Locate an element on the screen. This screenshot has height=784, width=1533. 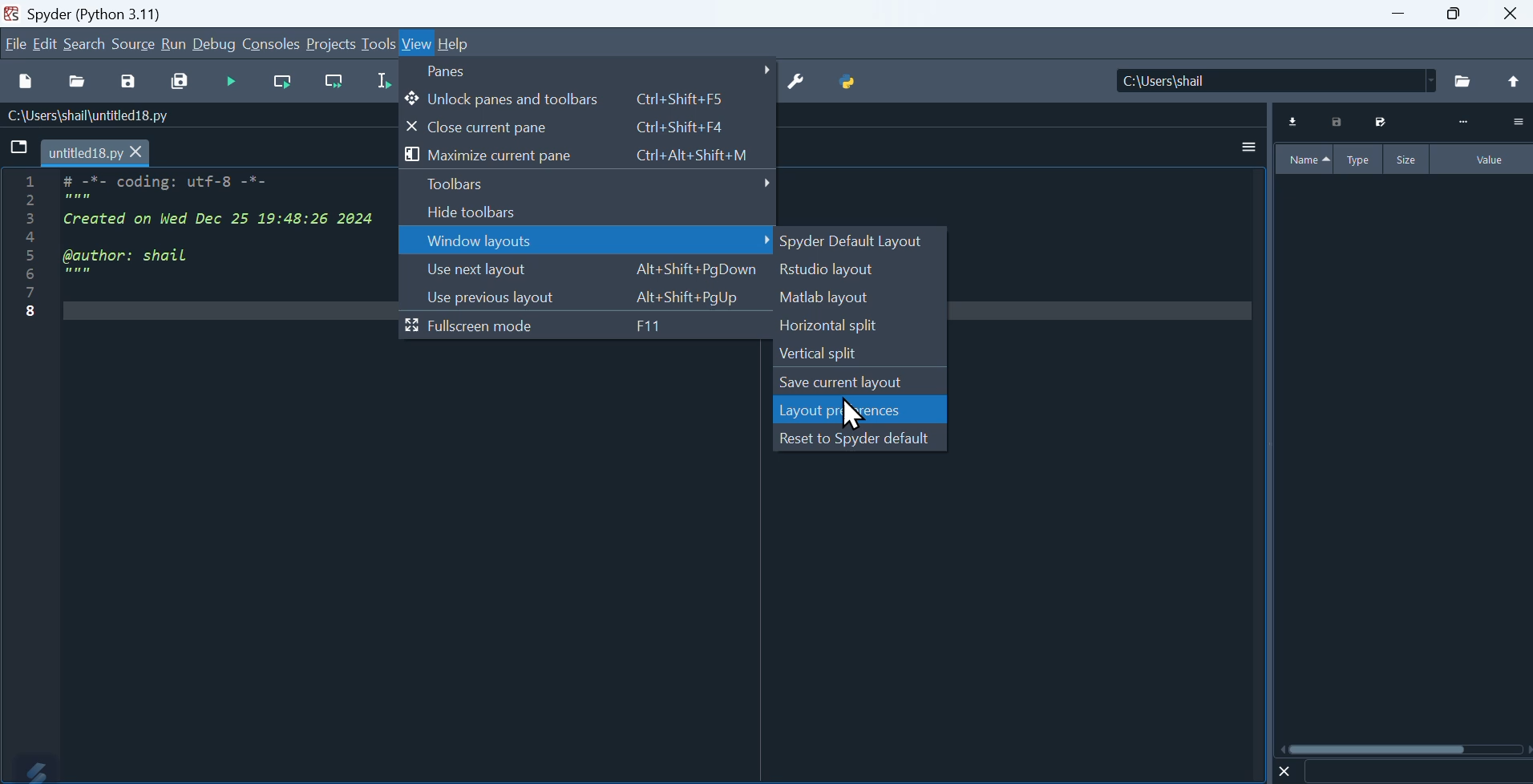
Full screen mode is located at coordinates (585, 326).